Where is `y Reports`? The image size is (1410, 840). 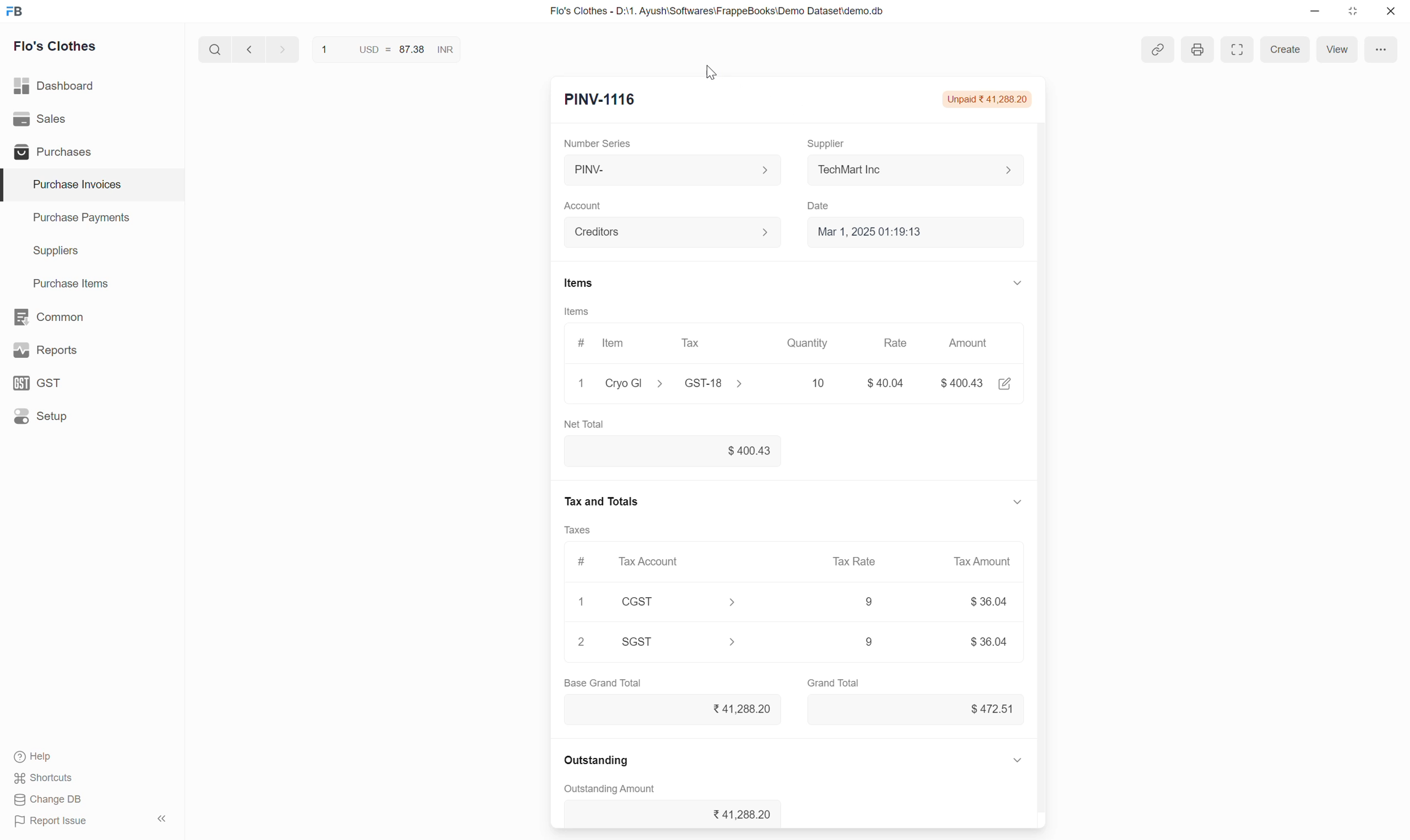
y Reports is located at coordinates (45, 351).